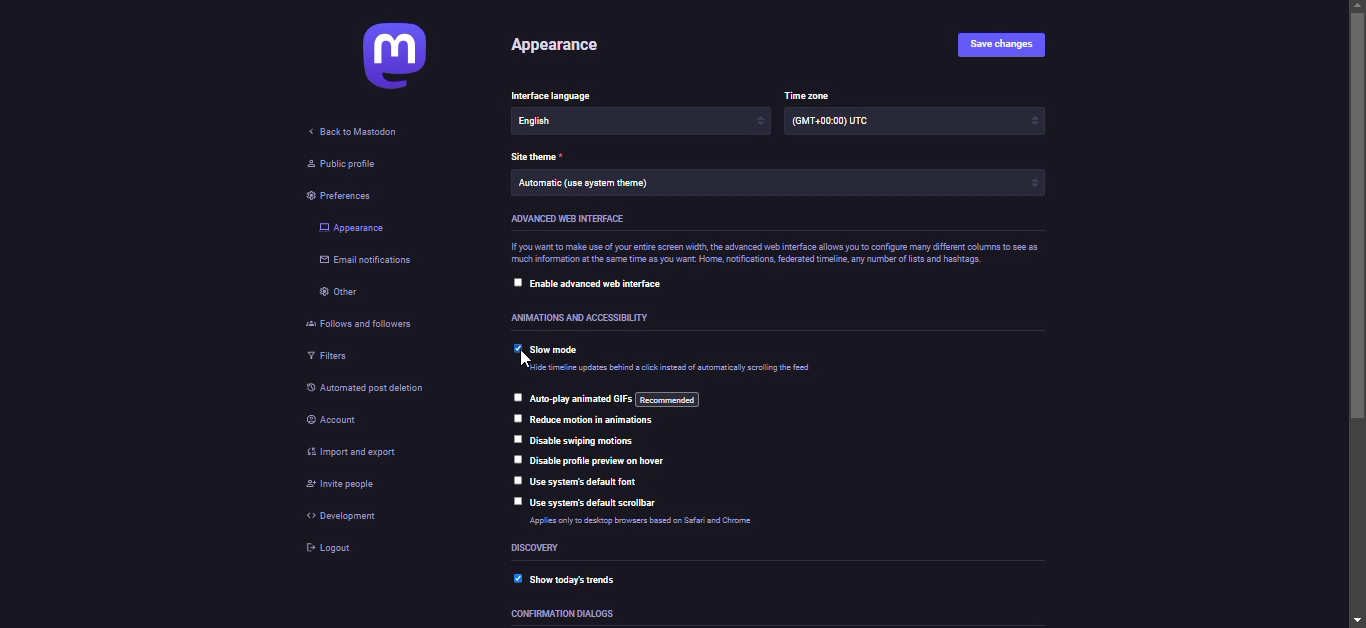  Describe the element at coordinates (565, 351) in the screenshot. I see `slow mode` at that location.